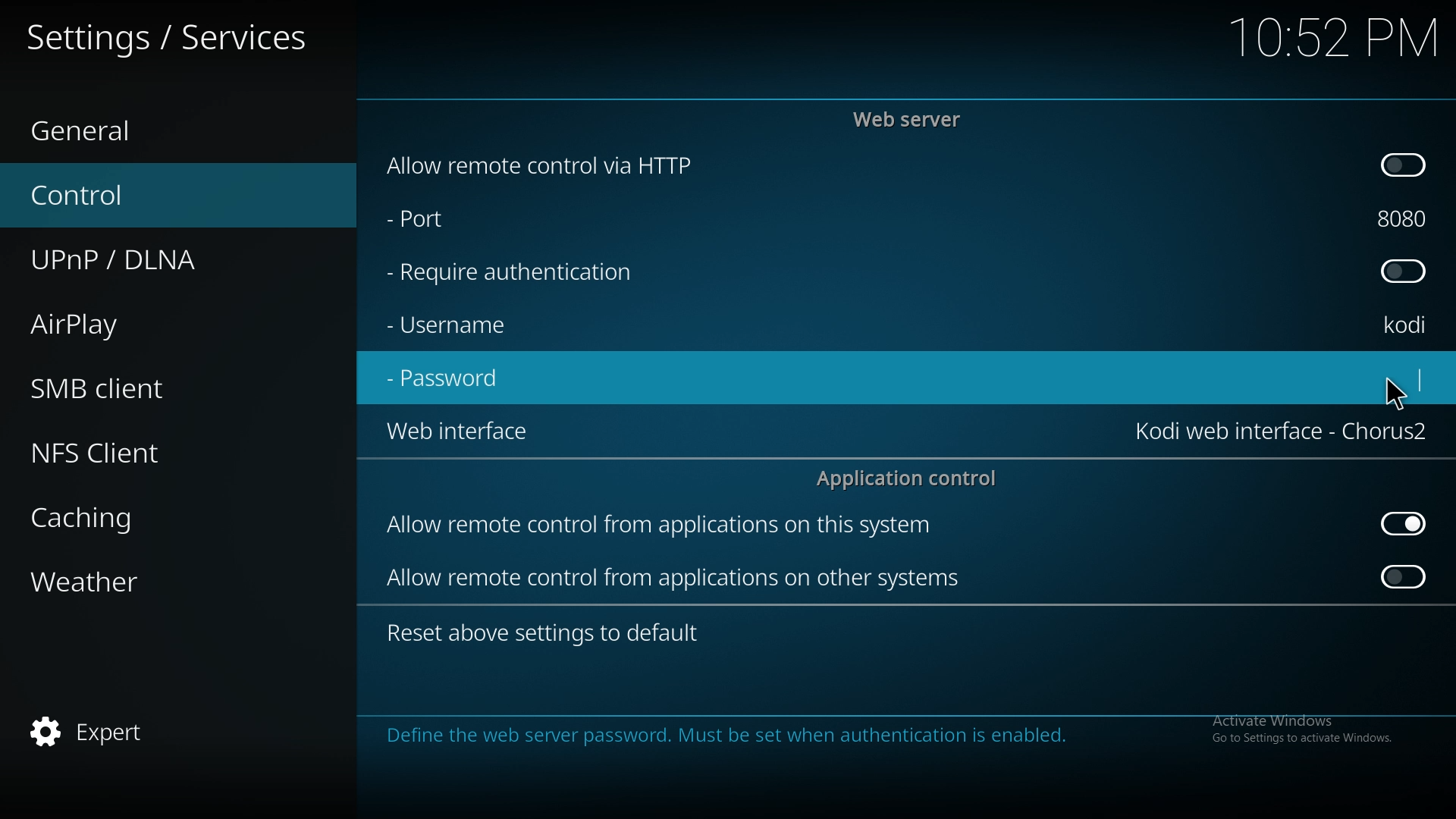 This screenshot has width=1456, height=819. What do you see at coordinates (1406, 324) in the screenshot?
I see `username` at bounding box center [1406, 324].